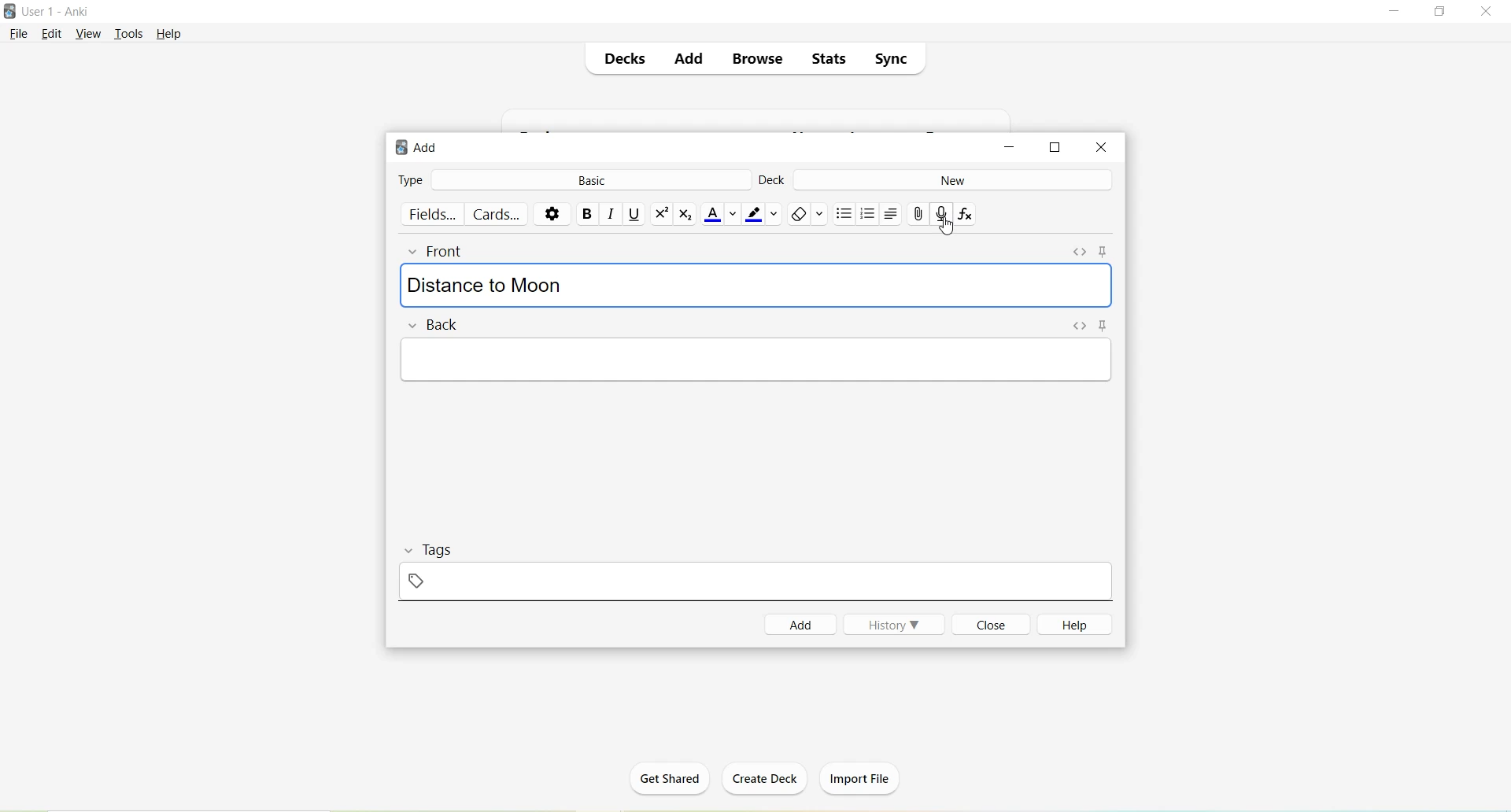 The image size is (1511, 812). Describe the element at coordinates (411, 551) in the screenshot. I see `Collapse` at that location.